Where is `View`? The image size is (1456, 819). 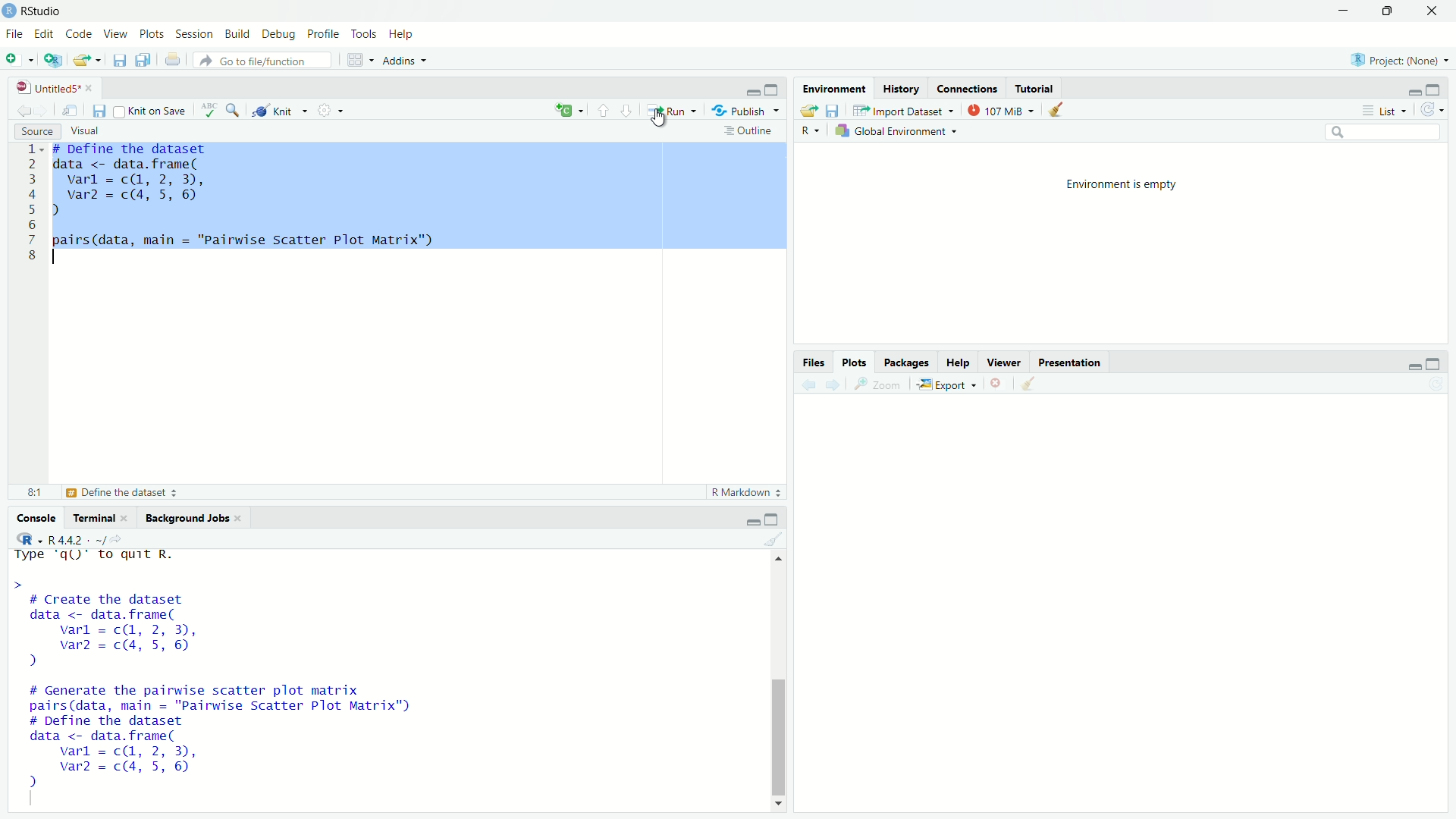 View is located at coordinates (116, 34).